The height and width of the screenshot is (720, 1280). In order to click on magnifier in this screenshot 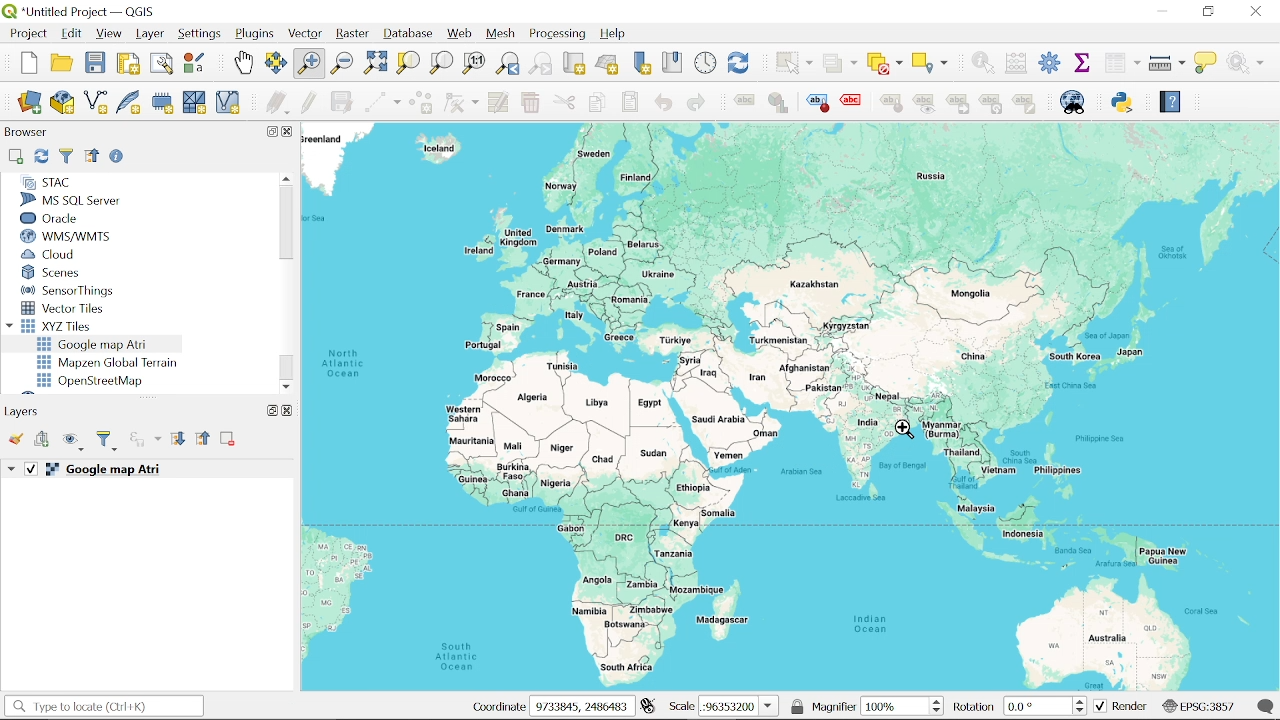, I will do `click(834, 706)`.